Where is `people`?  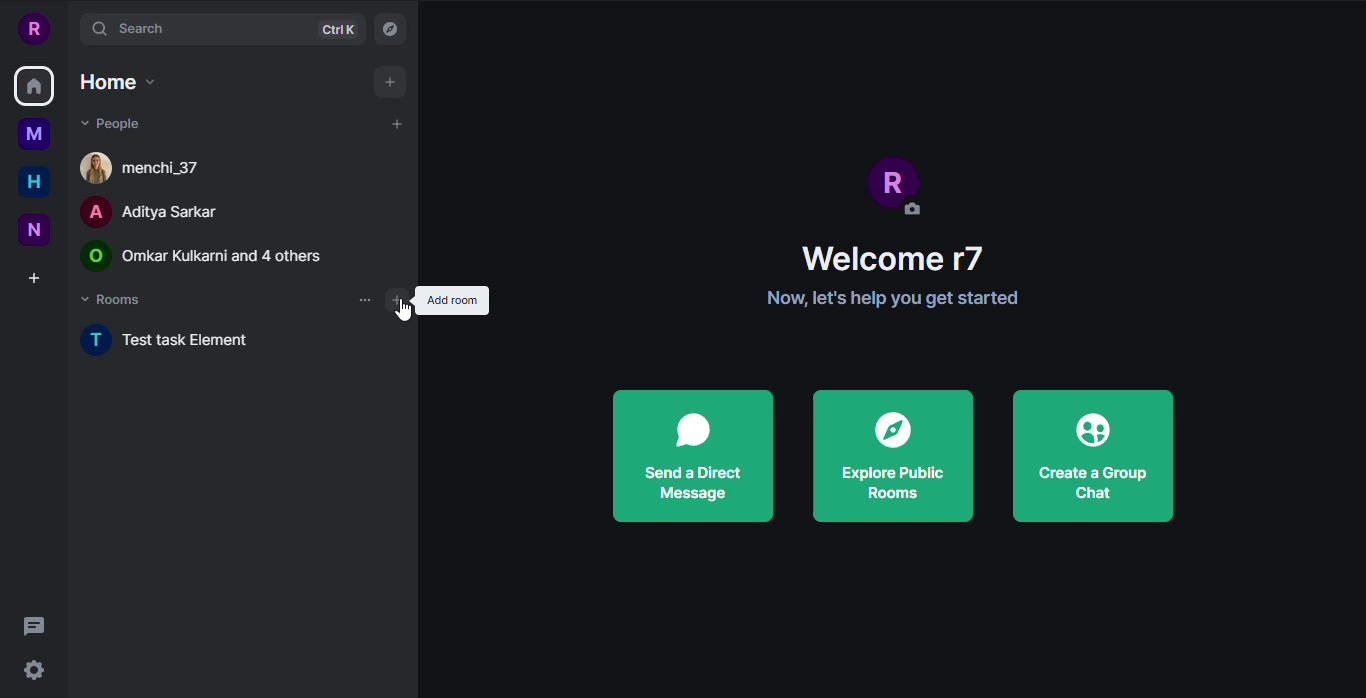
people is located at coordinates (112, 122).